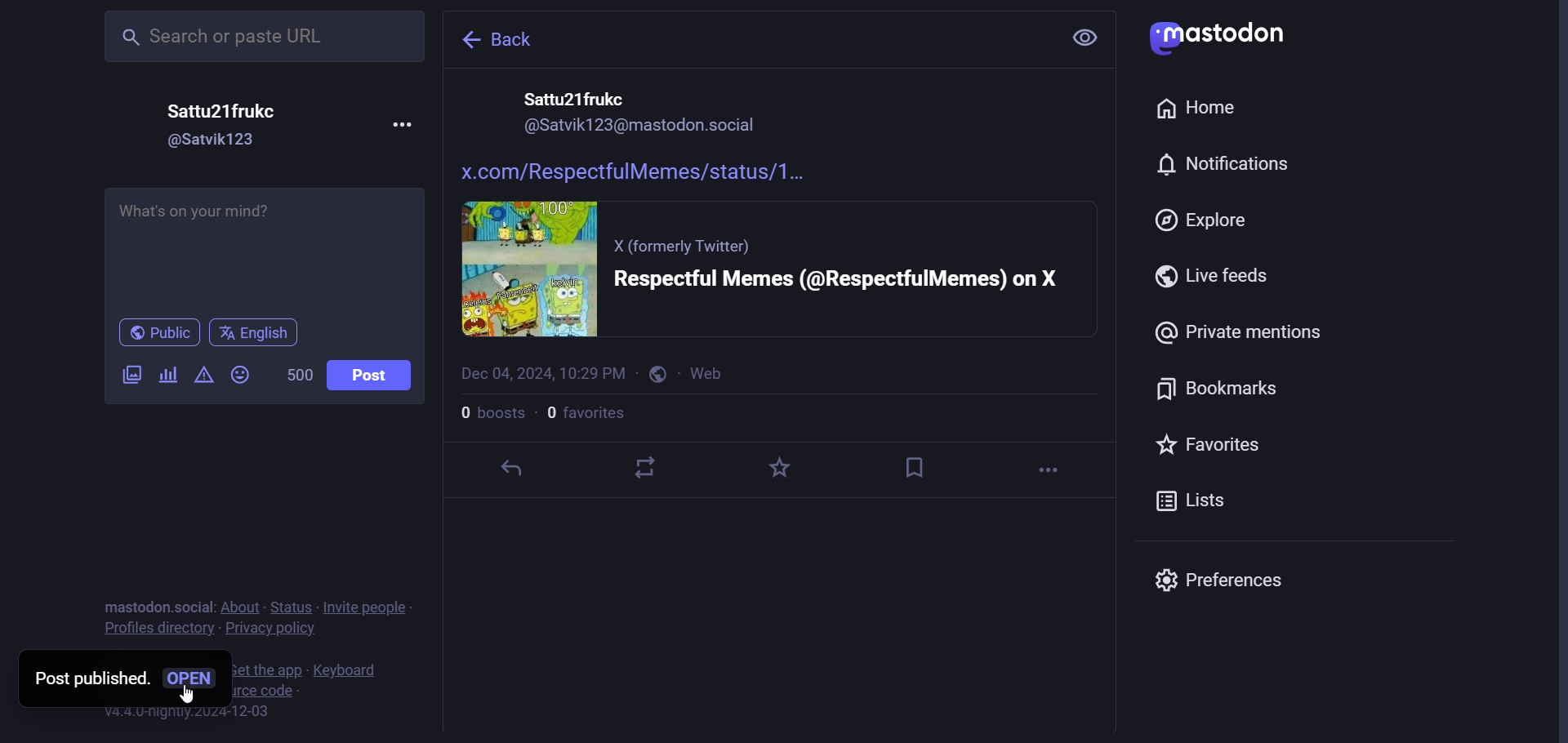 This screenshot has width=1568, height=743. I want to click on cursor, so click(202, 705).